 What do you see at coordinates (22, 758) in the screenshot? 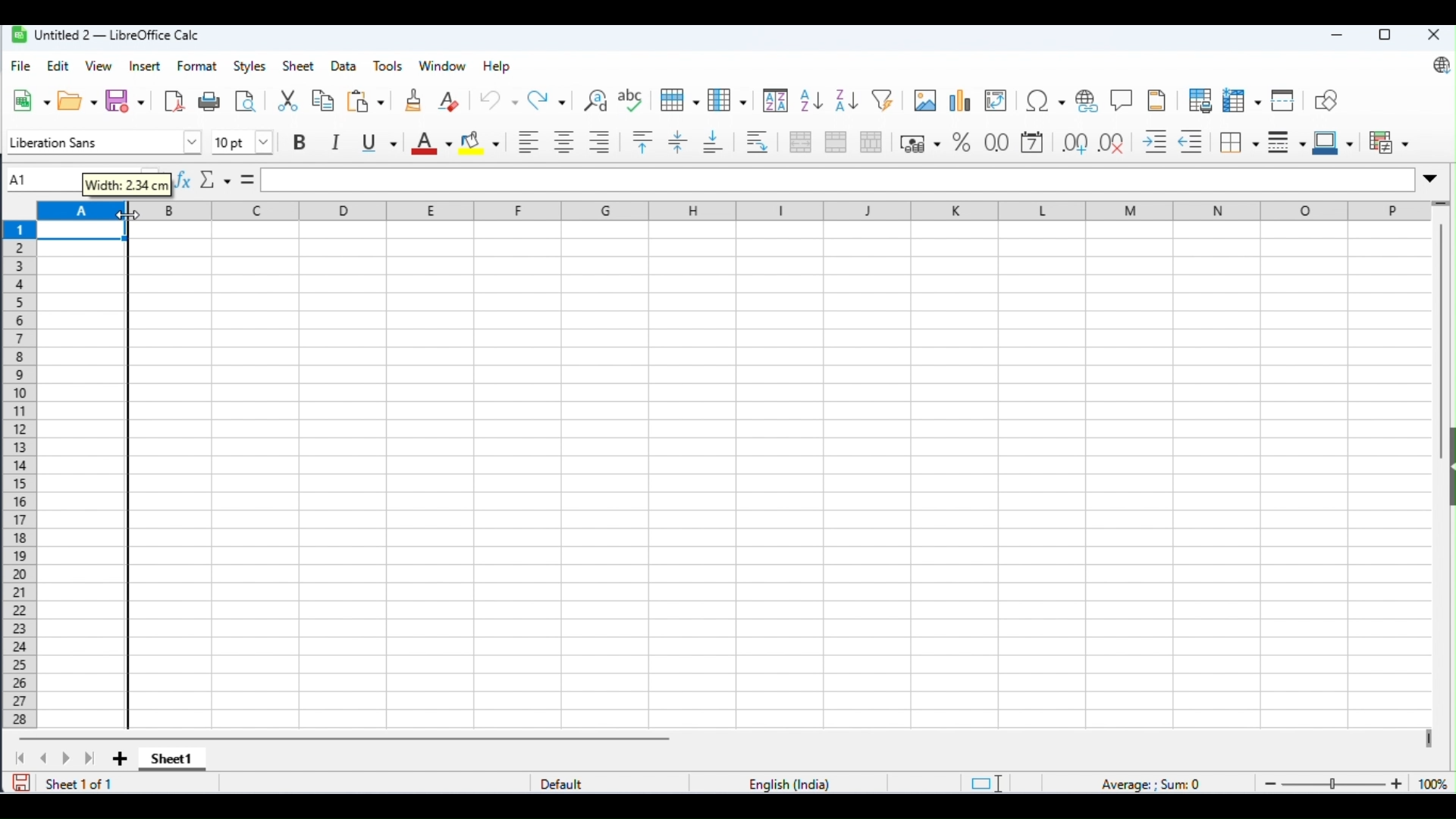
I see `first sheet` at bounding box center [22, 758].